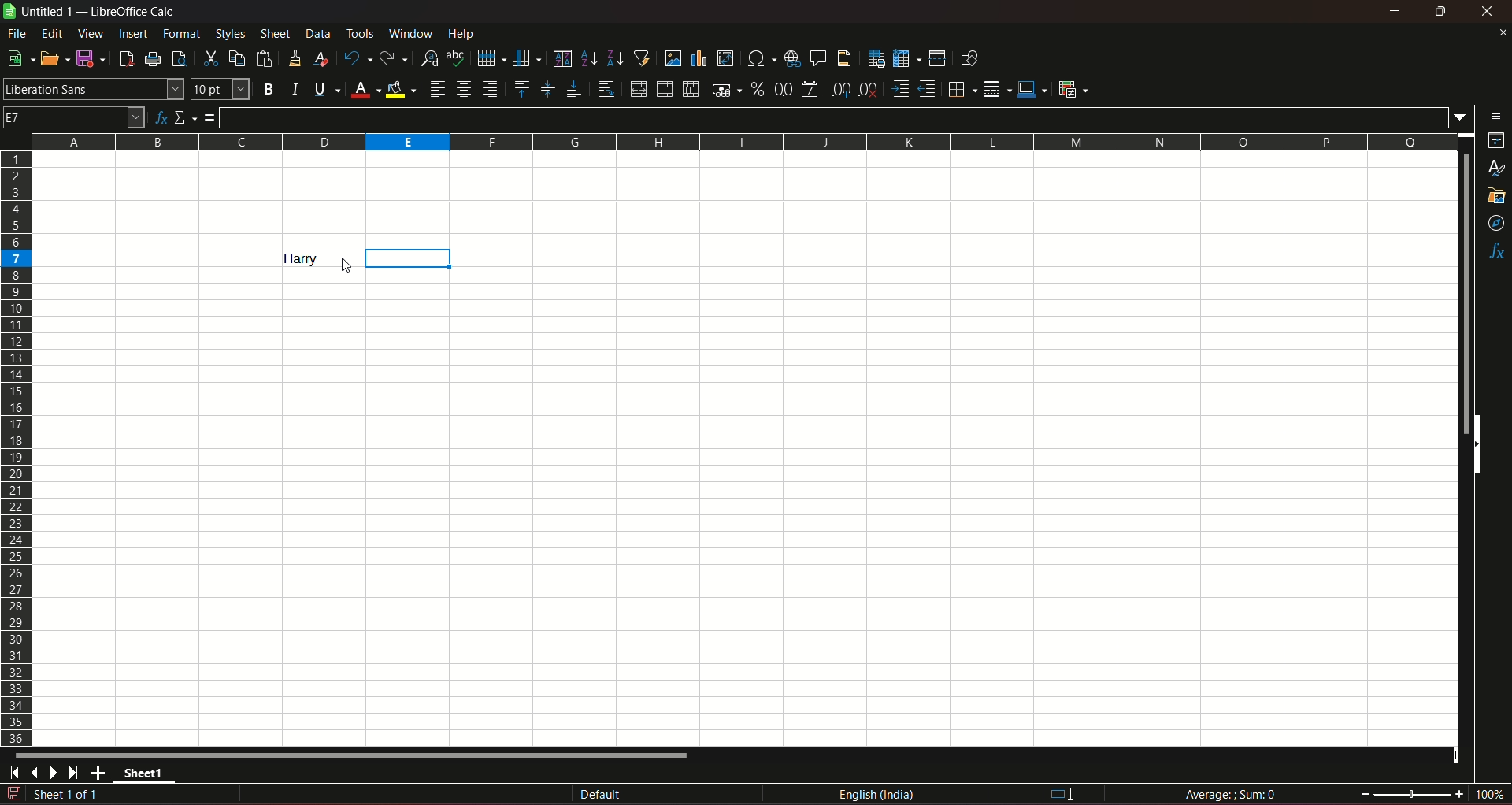 The width and height of the screenshot is (1512, 805). What do you see at coordinates (1495, 196) in the screenshot?
I see `gallery` at bounding box center [1495, 196].